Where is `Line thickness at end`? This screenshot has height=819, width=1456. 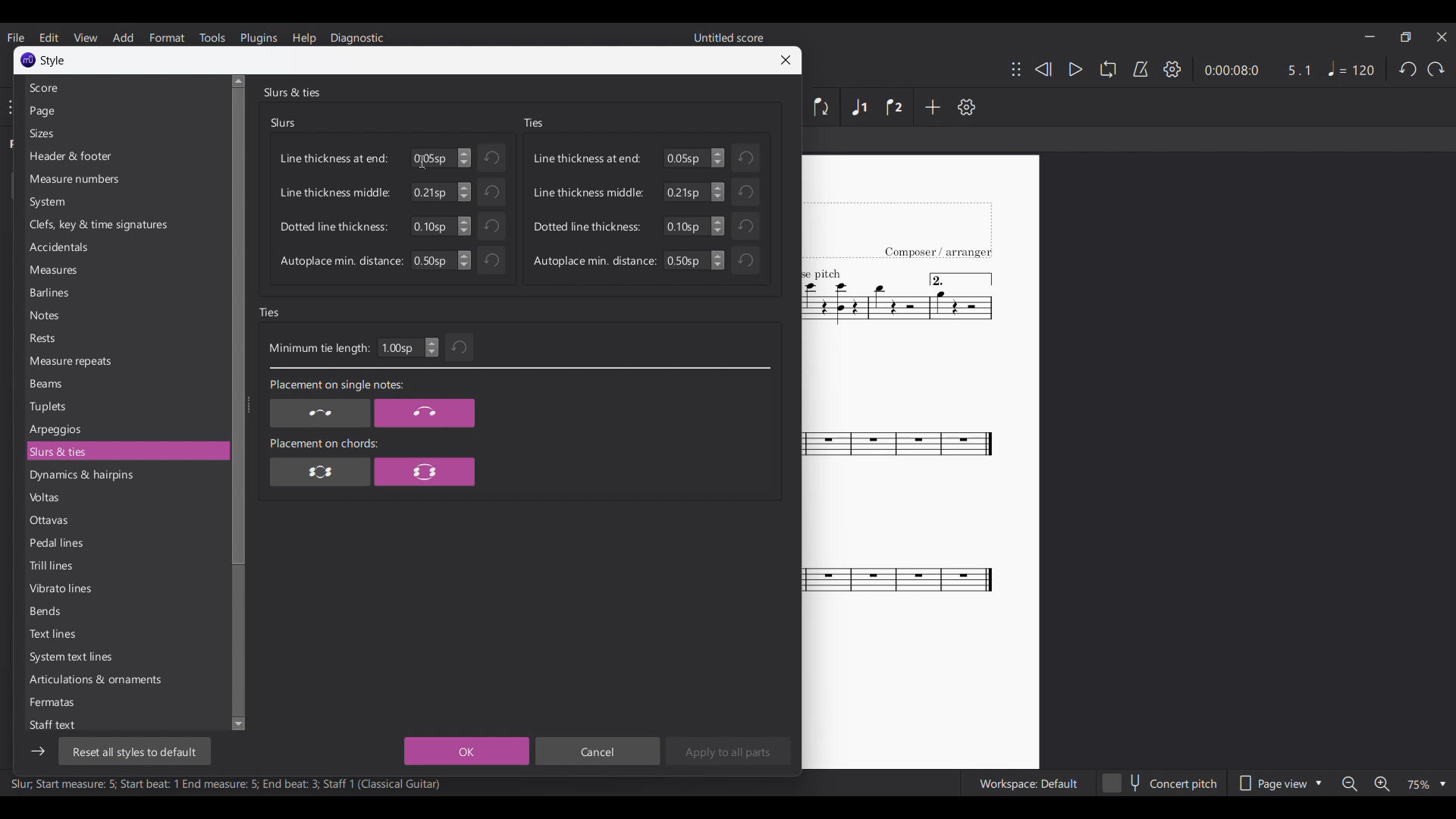 Line thickness at end is located at coordinates (334, 158).